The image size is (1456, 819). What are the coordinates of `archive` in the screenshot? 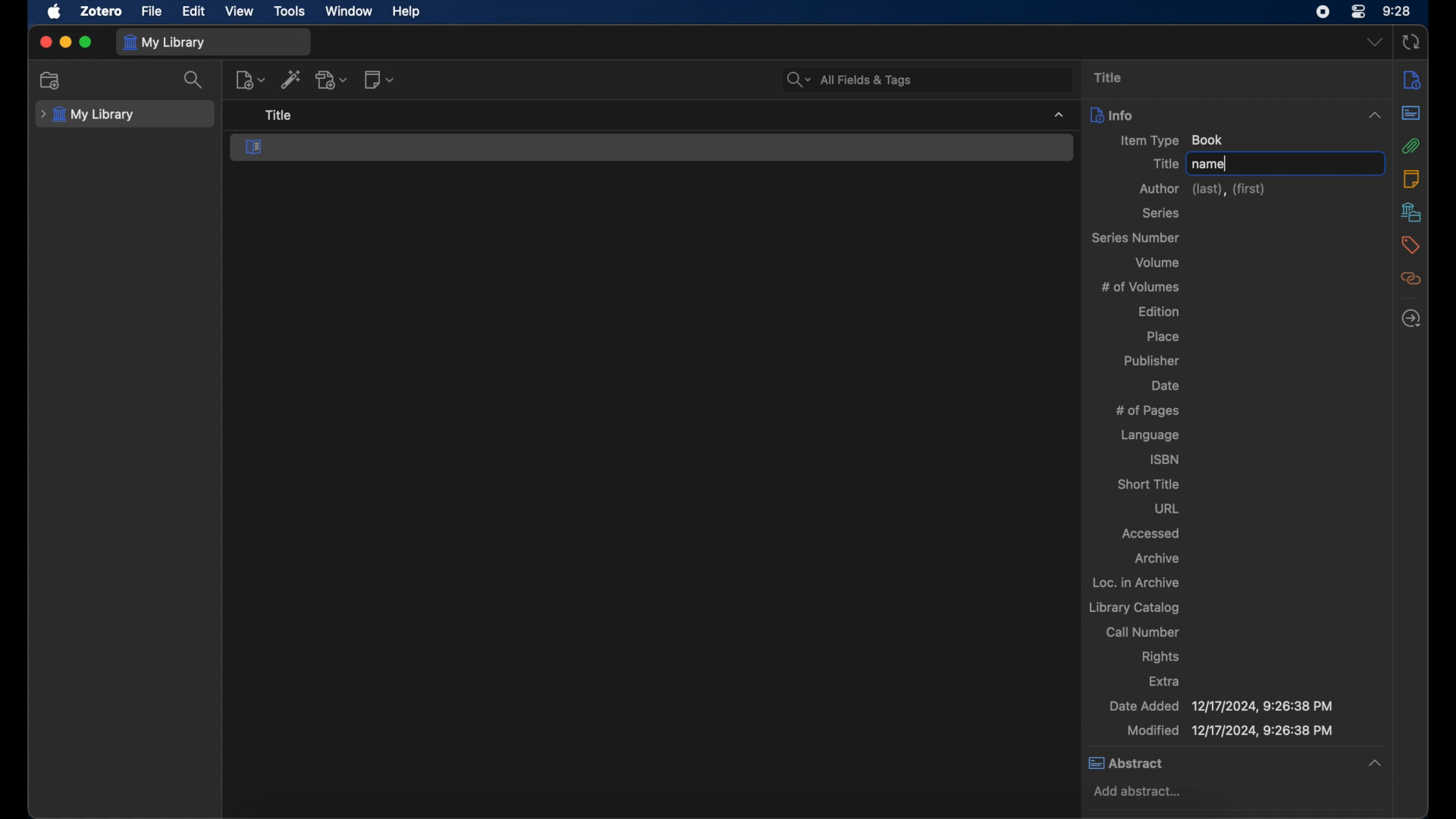 It's located at (1157, 558).